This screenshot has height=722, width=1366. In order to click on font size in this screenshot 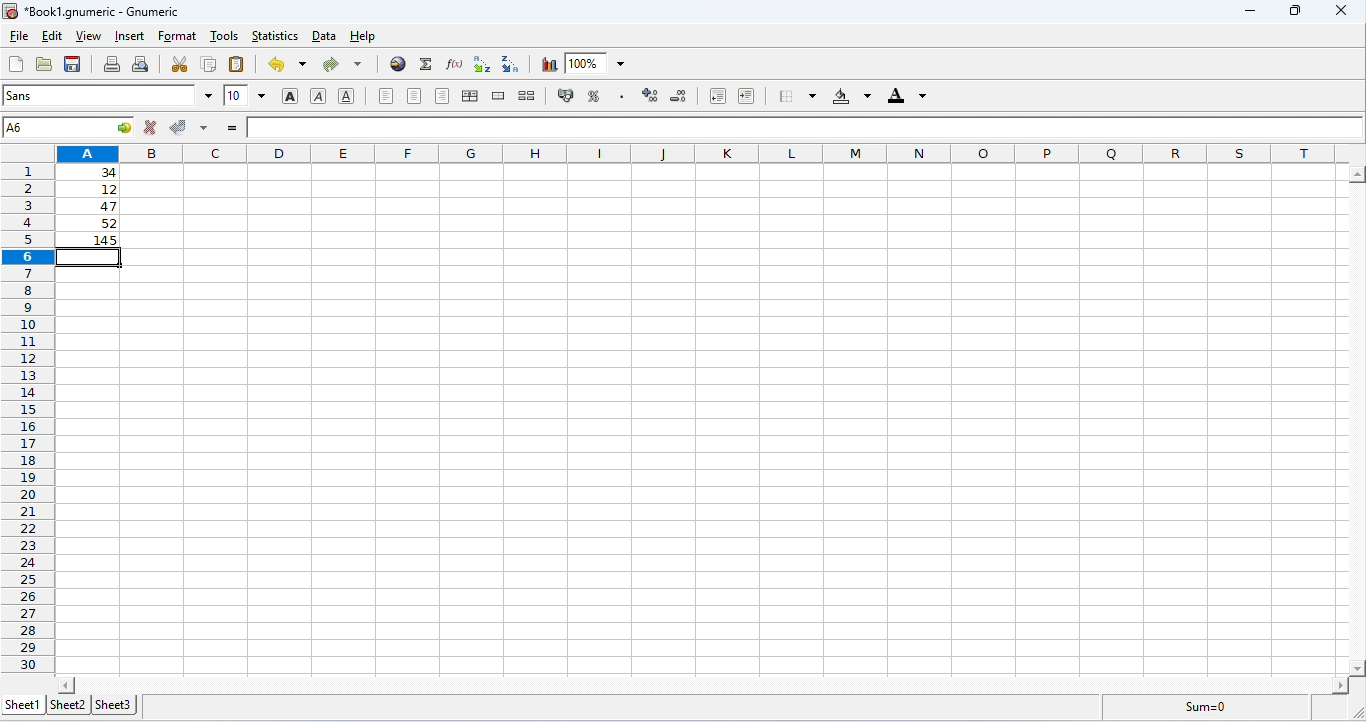, I will do `click(246, 95)`.